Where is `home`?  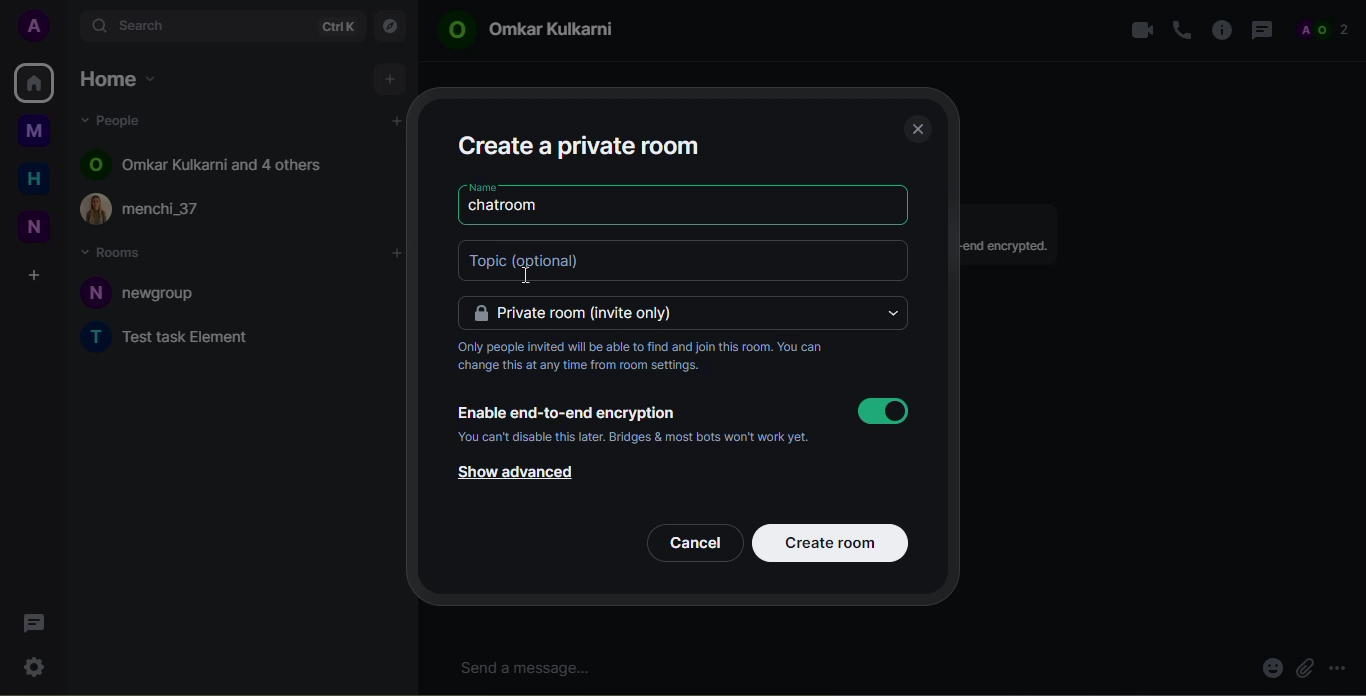
home is located at coordinates (34, 180).